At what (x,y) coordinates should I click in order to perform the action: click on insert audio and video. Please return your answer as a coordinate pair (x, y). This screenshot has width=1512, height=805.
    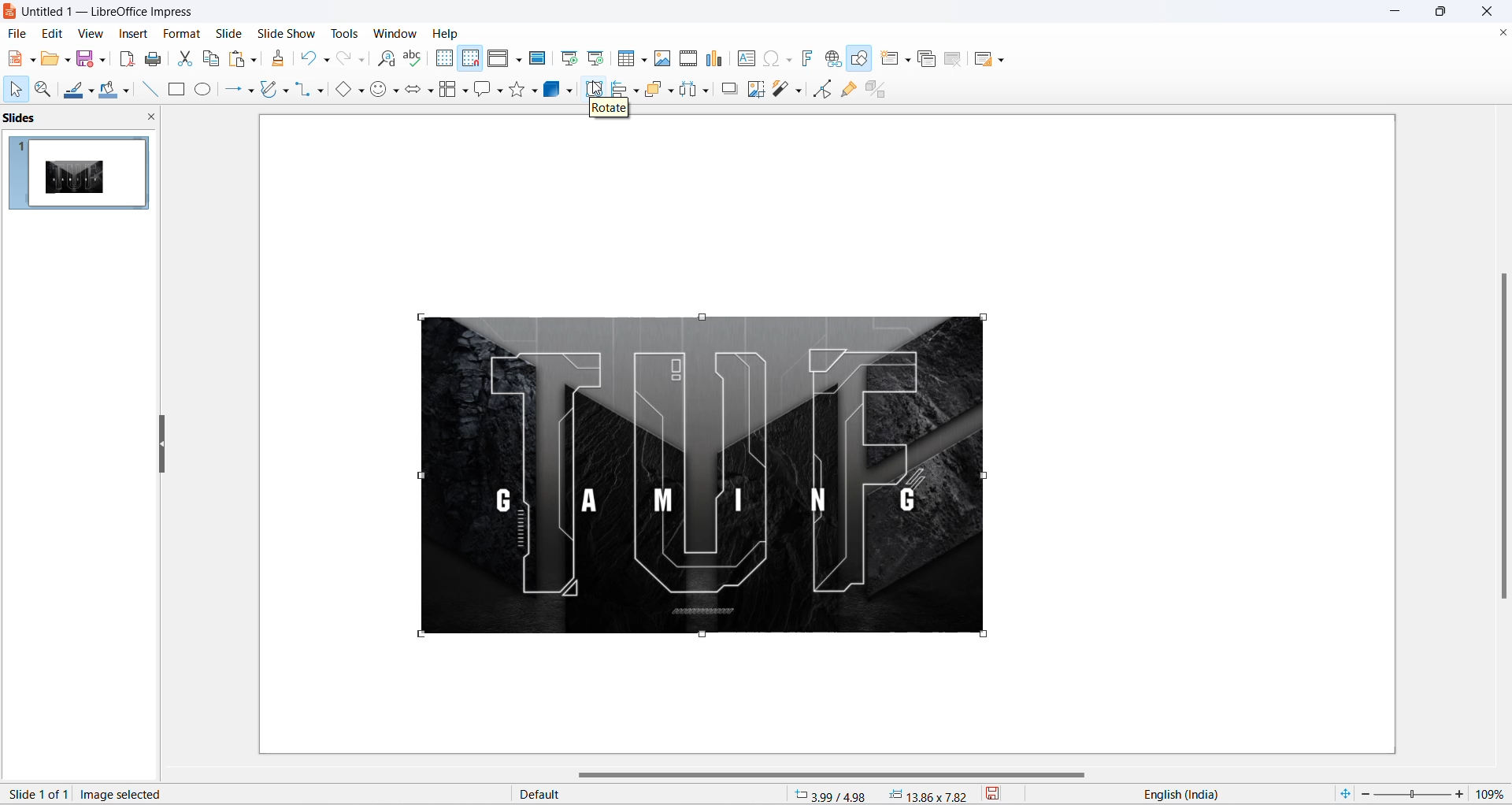
    Looking at the image, I should click on (687, 58).